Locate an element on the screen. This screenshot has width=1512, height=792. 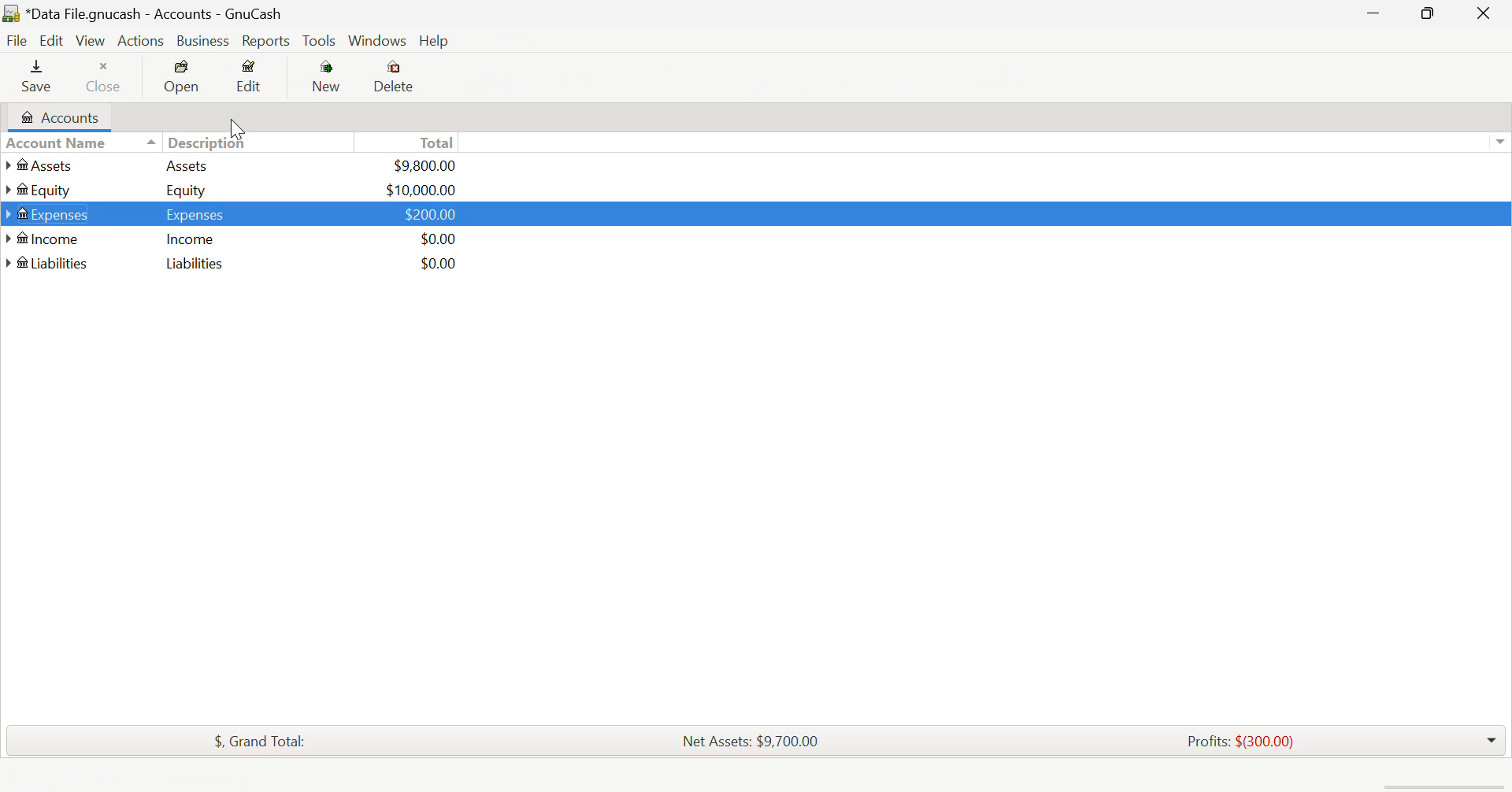
Business is located at coordinates (203, 41).